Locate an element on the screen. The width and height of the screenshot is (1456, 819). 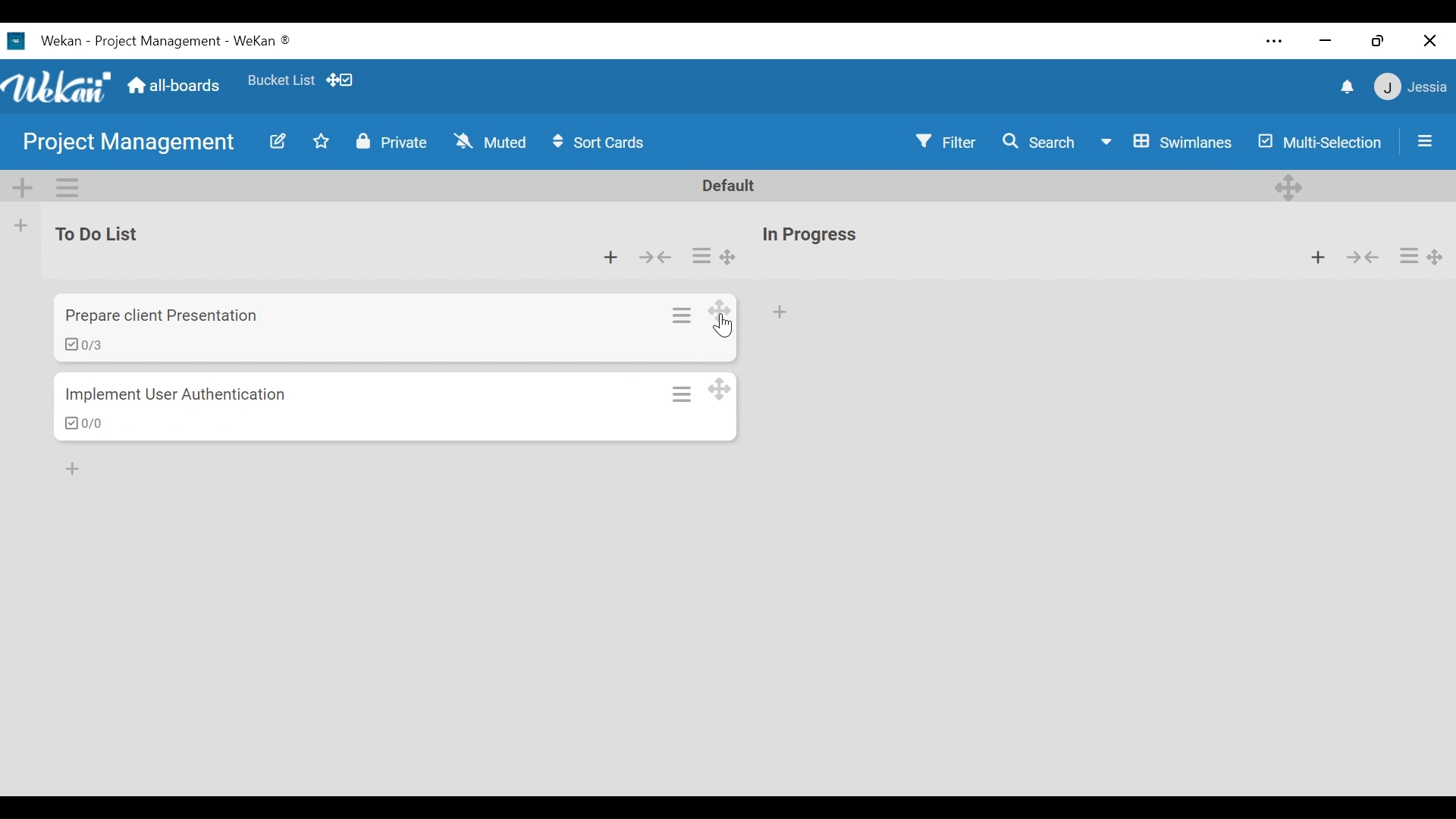
Toggle favorites is located at coordinates (321, 141).